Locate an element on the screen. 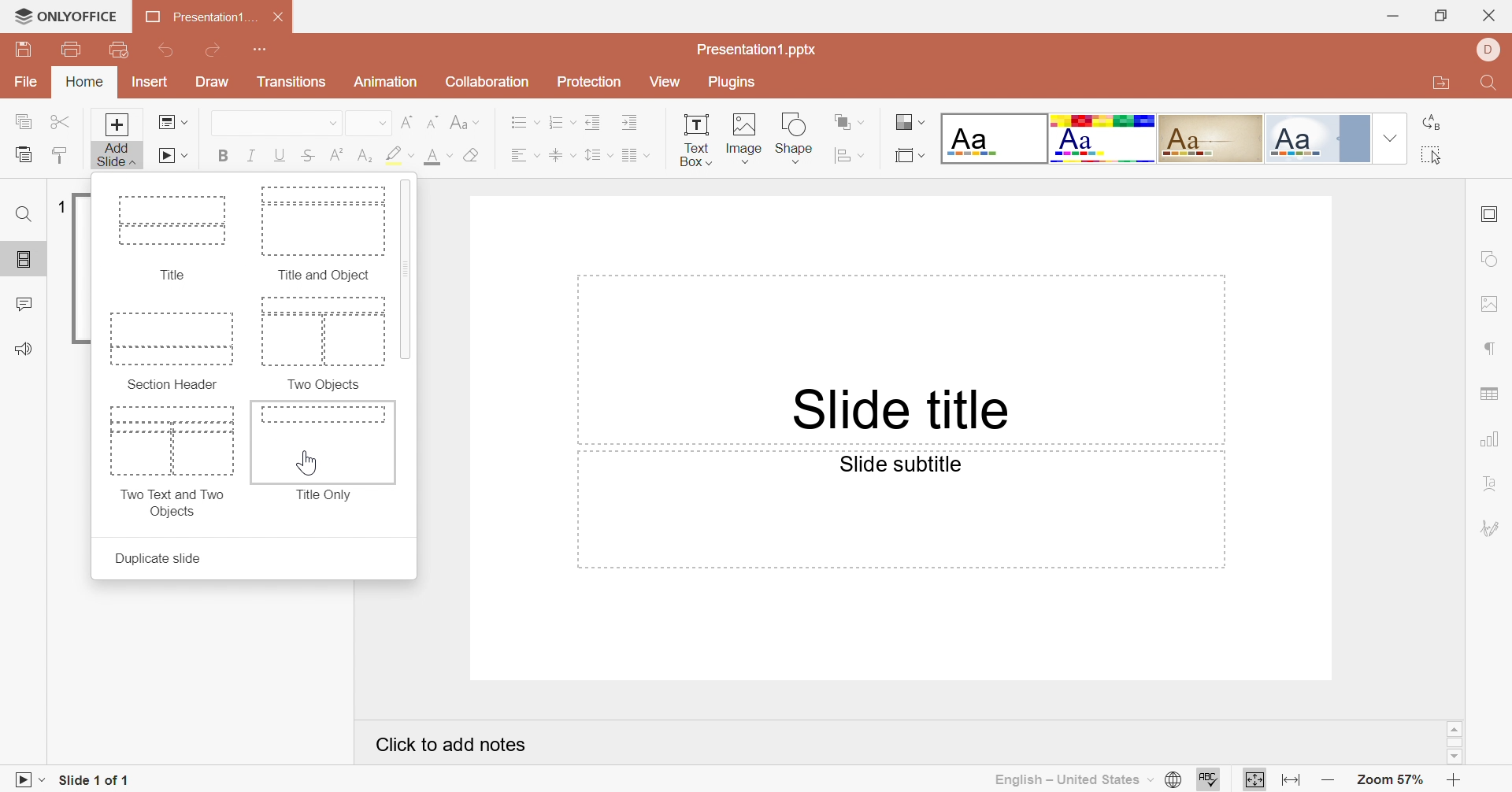  Minimize is located at coordinates (1393, 17).